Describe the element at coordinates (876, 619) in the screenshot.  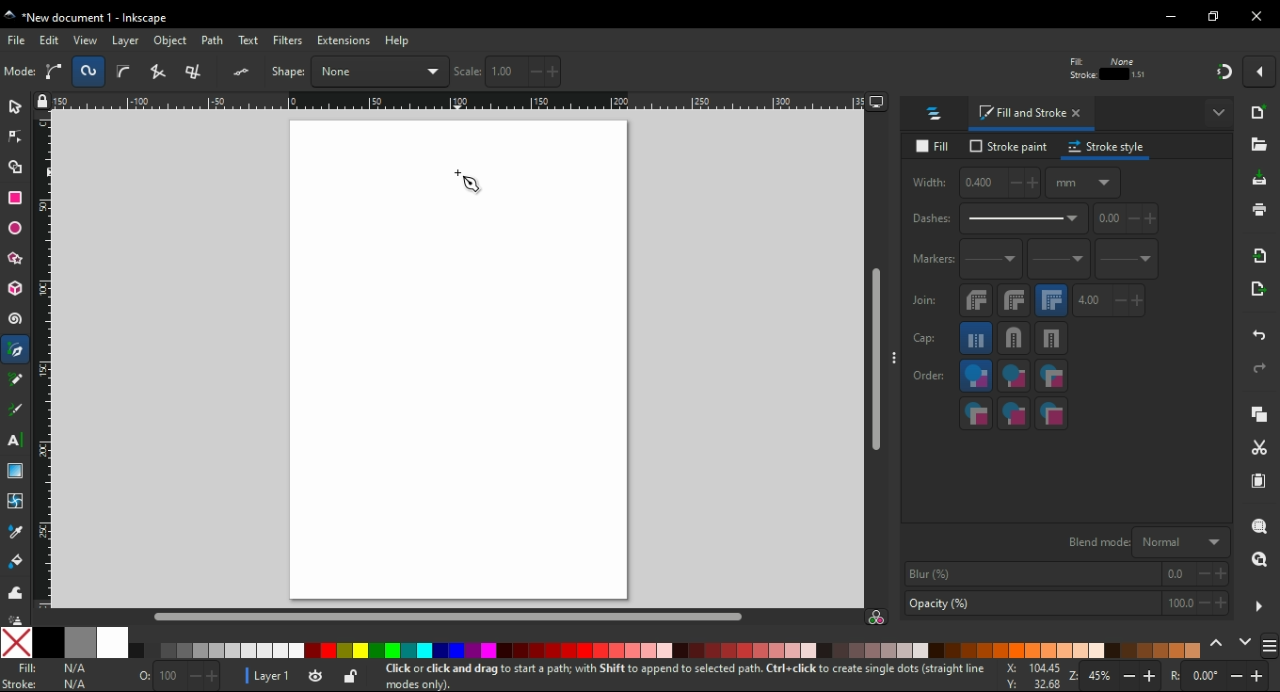
I see `color managed mode` at that location.